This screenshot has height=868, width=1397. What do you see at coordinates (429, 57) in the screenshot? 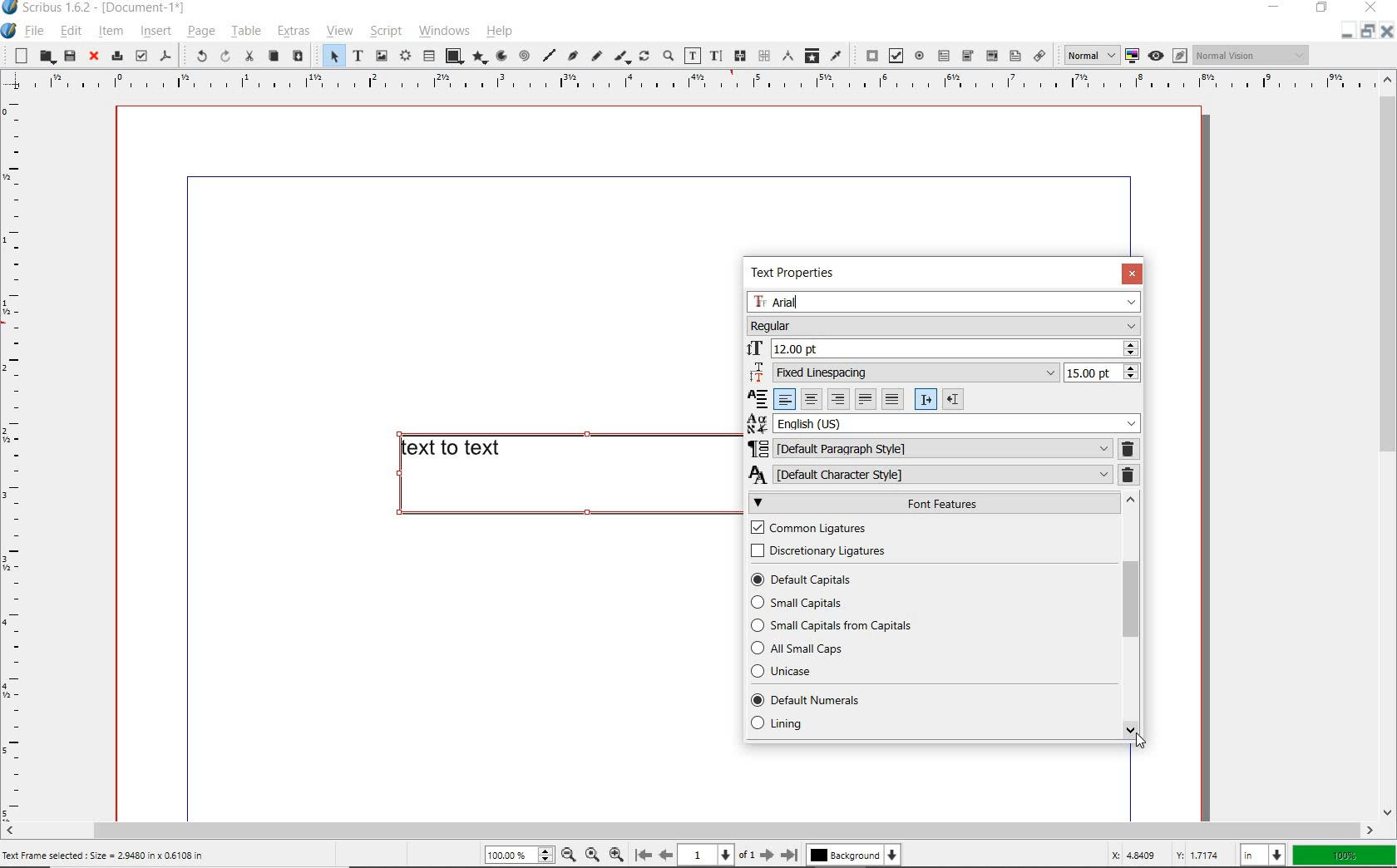
I see `table` at bounding box center [429, 57].